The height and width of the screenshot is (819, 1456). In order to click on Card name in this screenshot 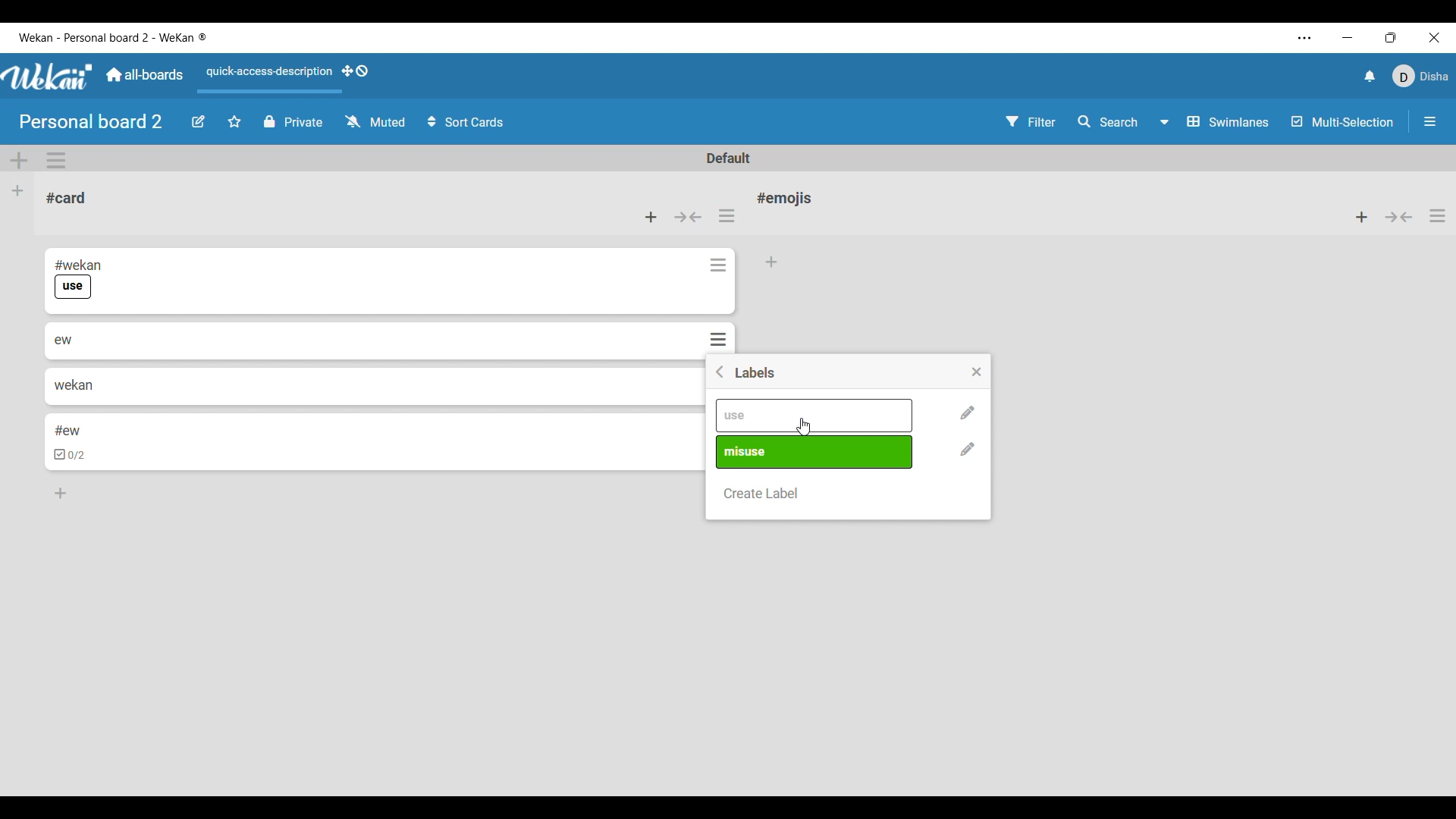, I will do `click(788, 198)`.